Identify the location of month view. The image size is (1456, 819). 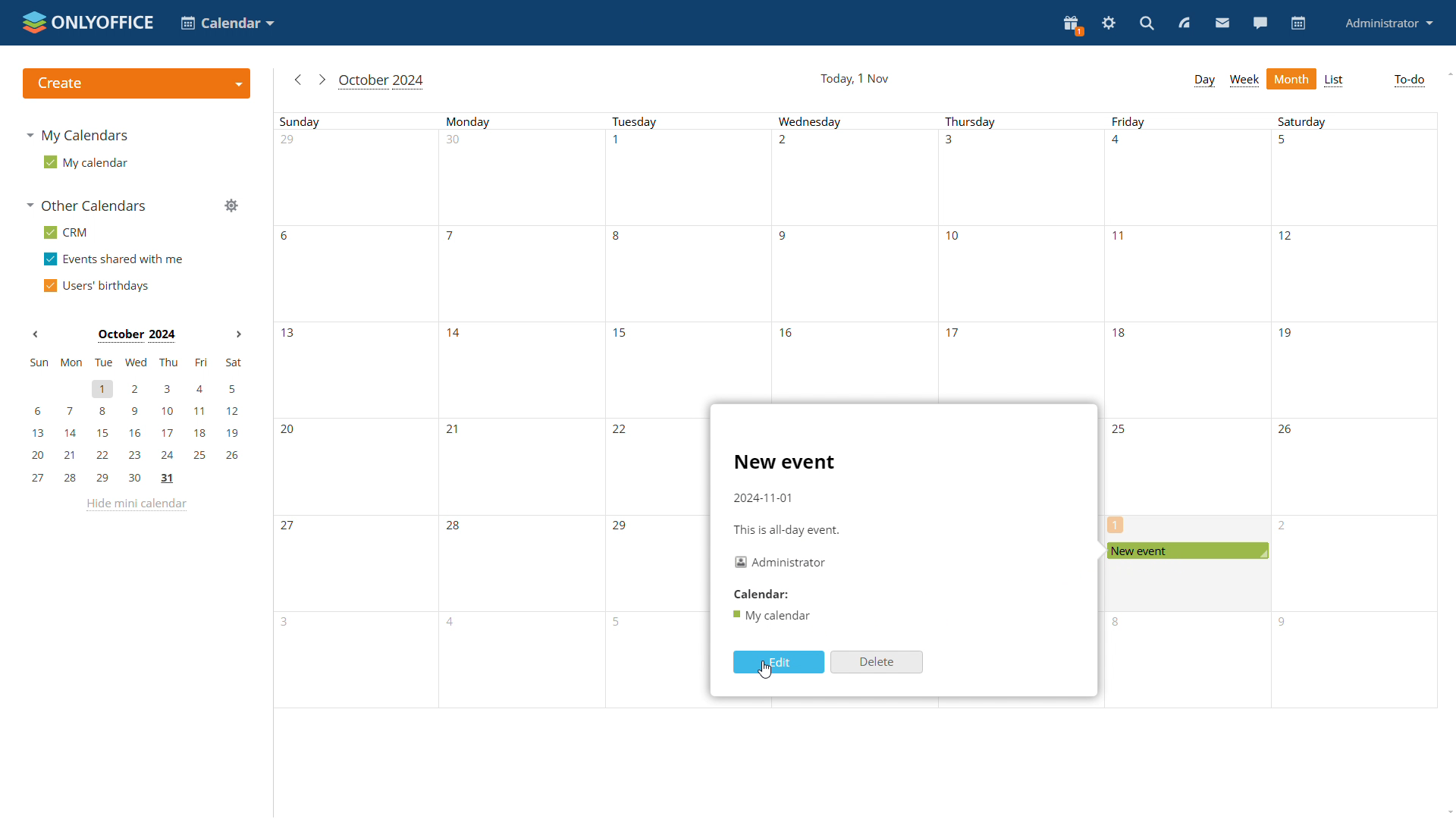
(1292, 78).